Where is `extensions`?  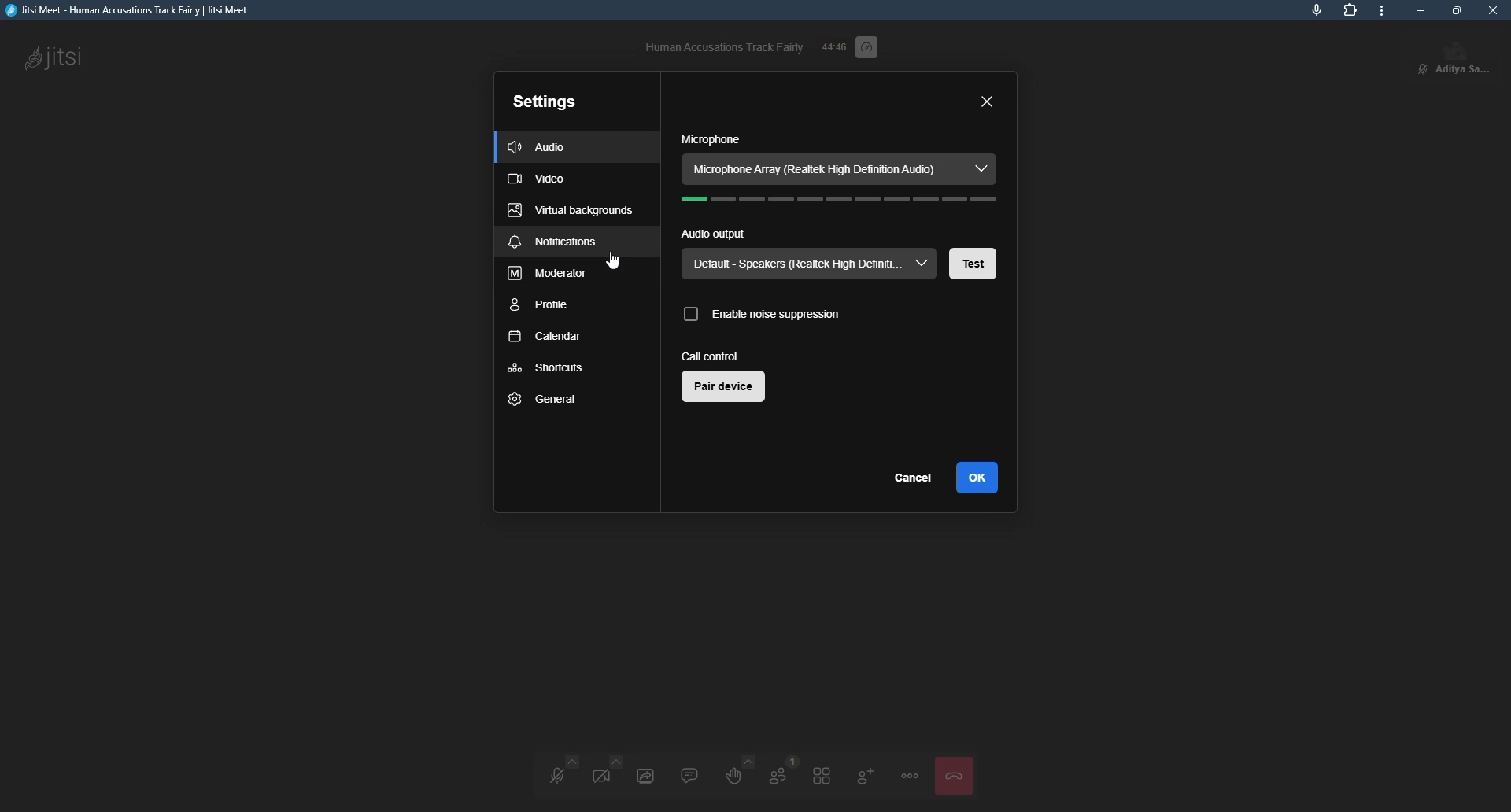
extensions is located at coordinates (1348, 10).